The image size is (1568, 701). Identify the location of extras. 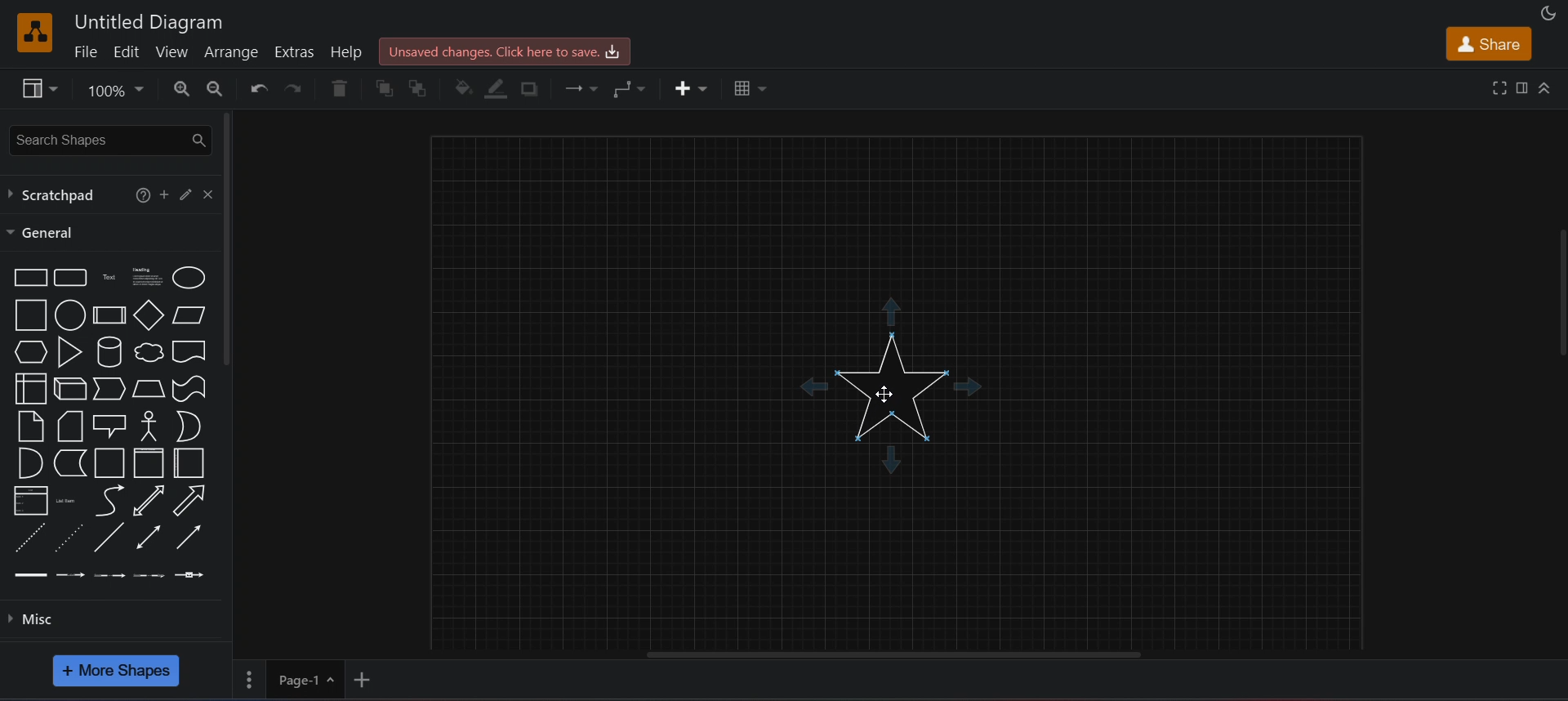
(292, 51).